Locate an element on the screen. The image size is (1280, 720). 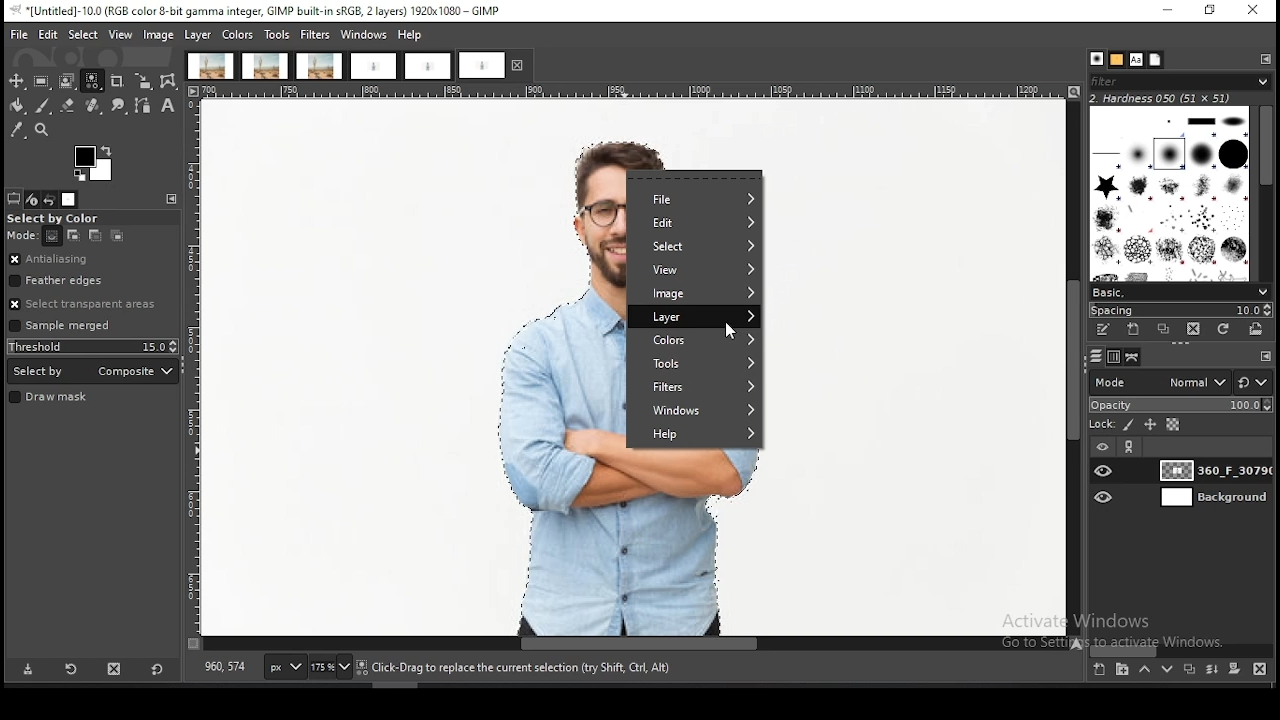
add a mask is located at coordinates (1234, 668).